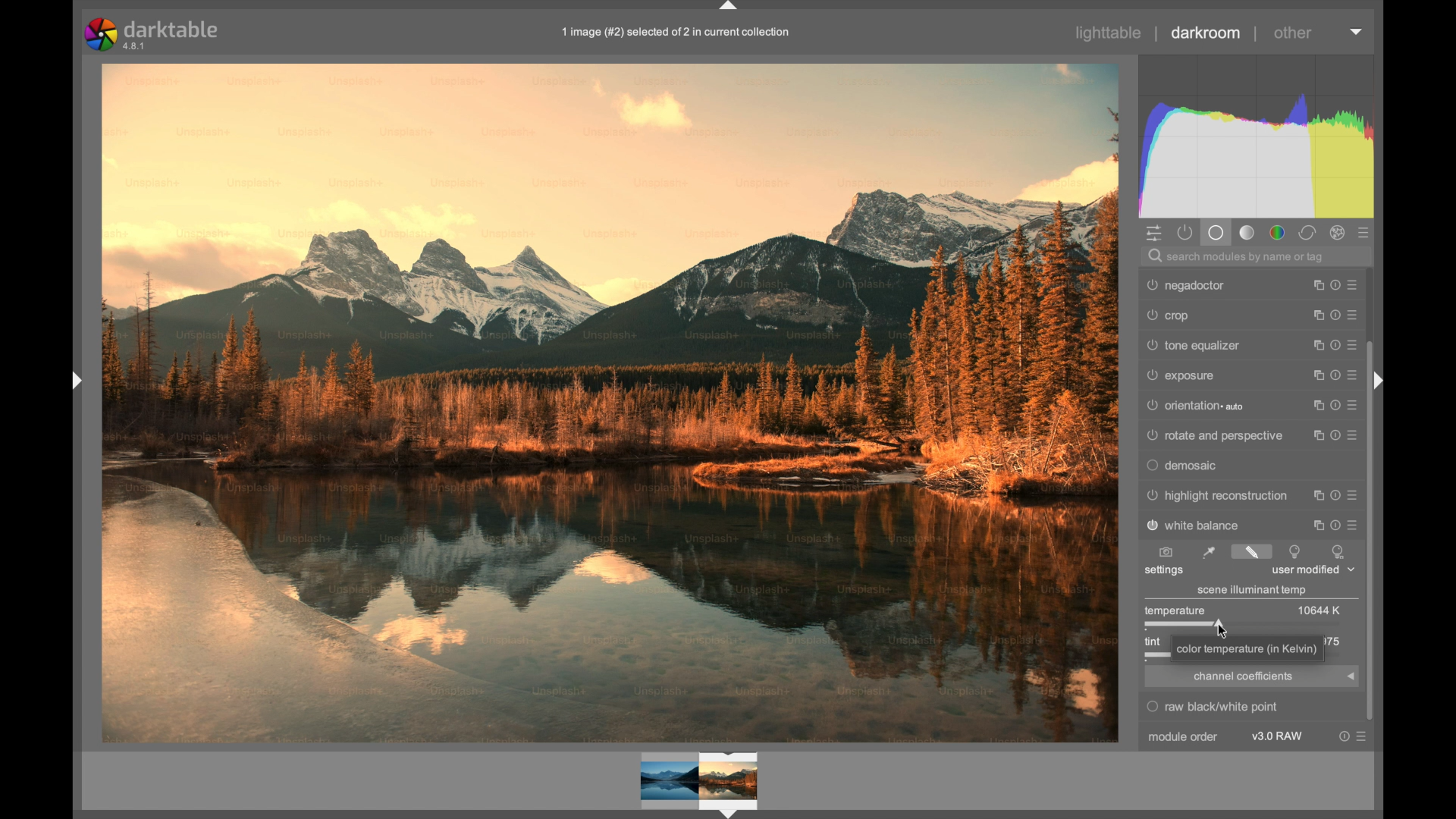  What do you see at coordinates (1382, 381) in the screenshot?
I see `Drag handle` at bounding box center [1382, 381].